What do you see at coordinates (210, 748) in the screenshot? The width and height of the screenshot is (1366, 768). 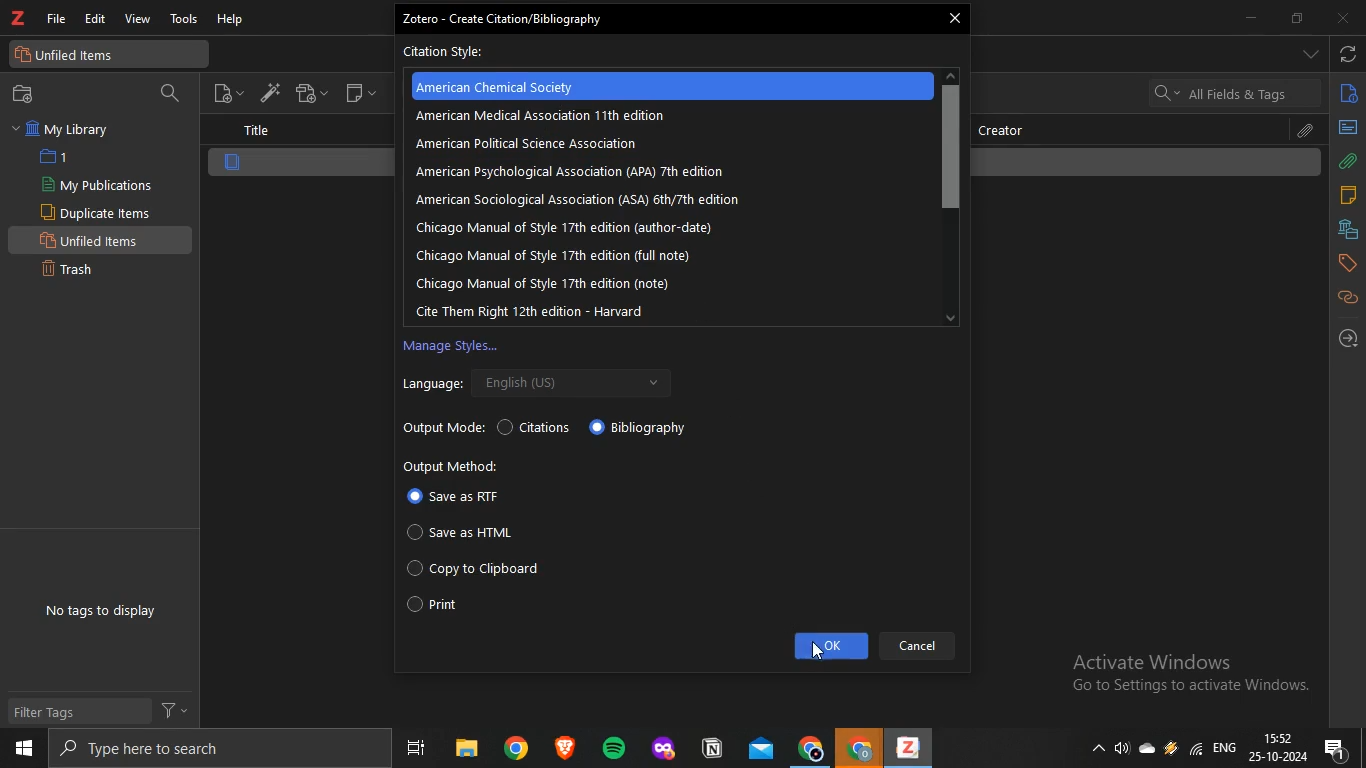 I see `search` at bounding box center [210, 748].